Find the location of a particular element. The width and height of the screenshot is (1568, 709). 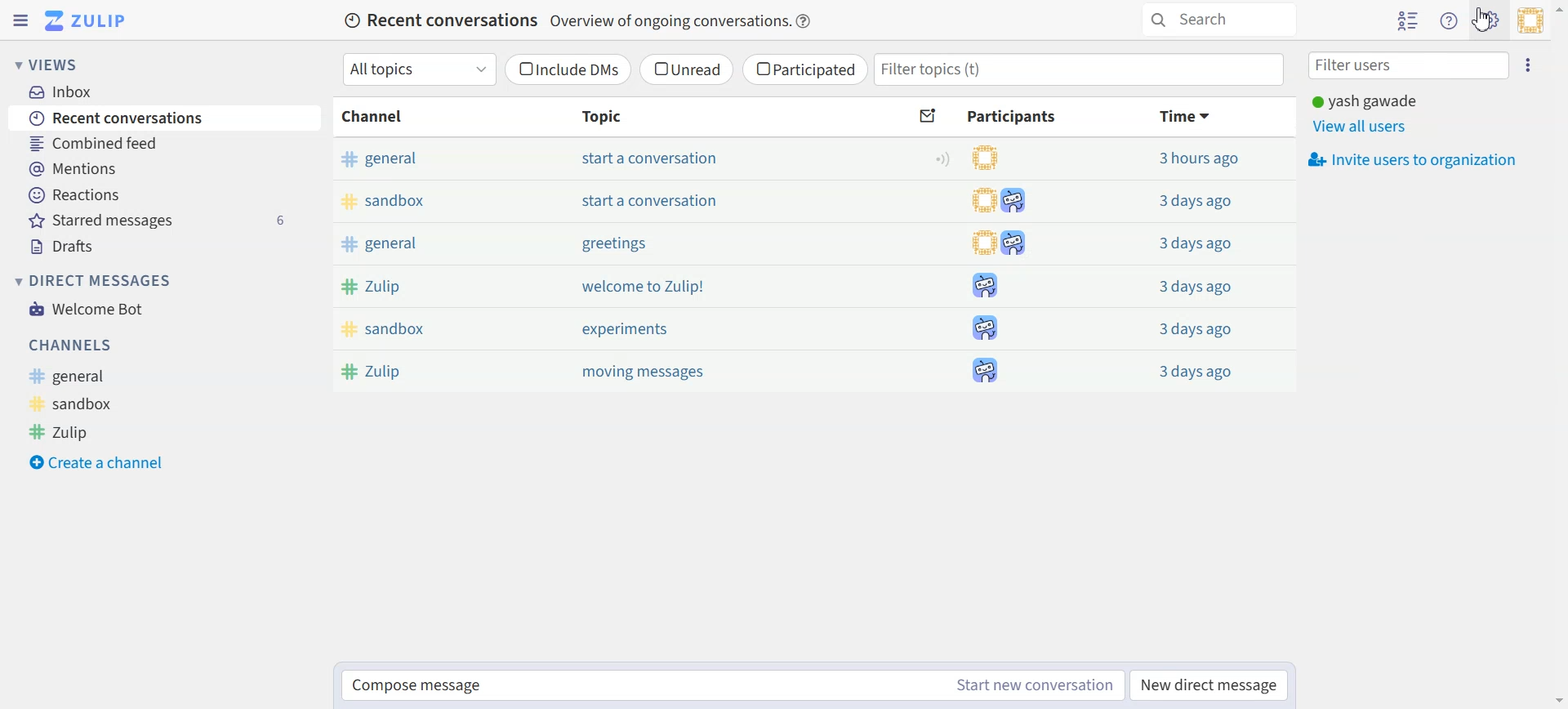

3 days ago is located at coordinates (1193, 330).